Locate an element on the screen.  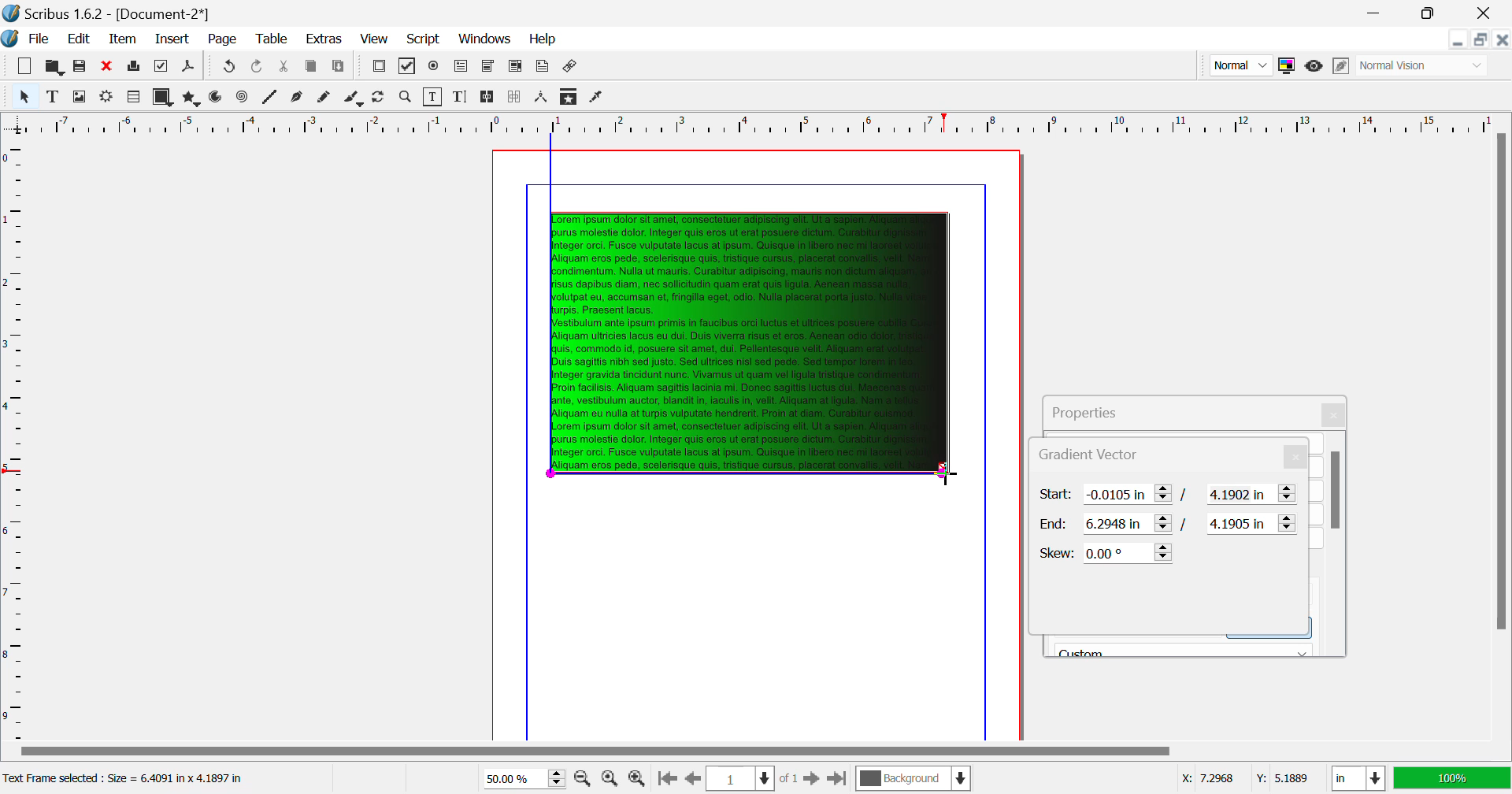
Pdf List Box is located at coordinates (515, 68).